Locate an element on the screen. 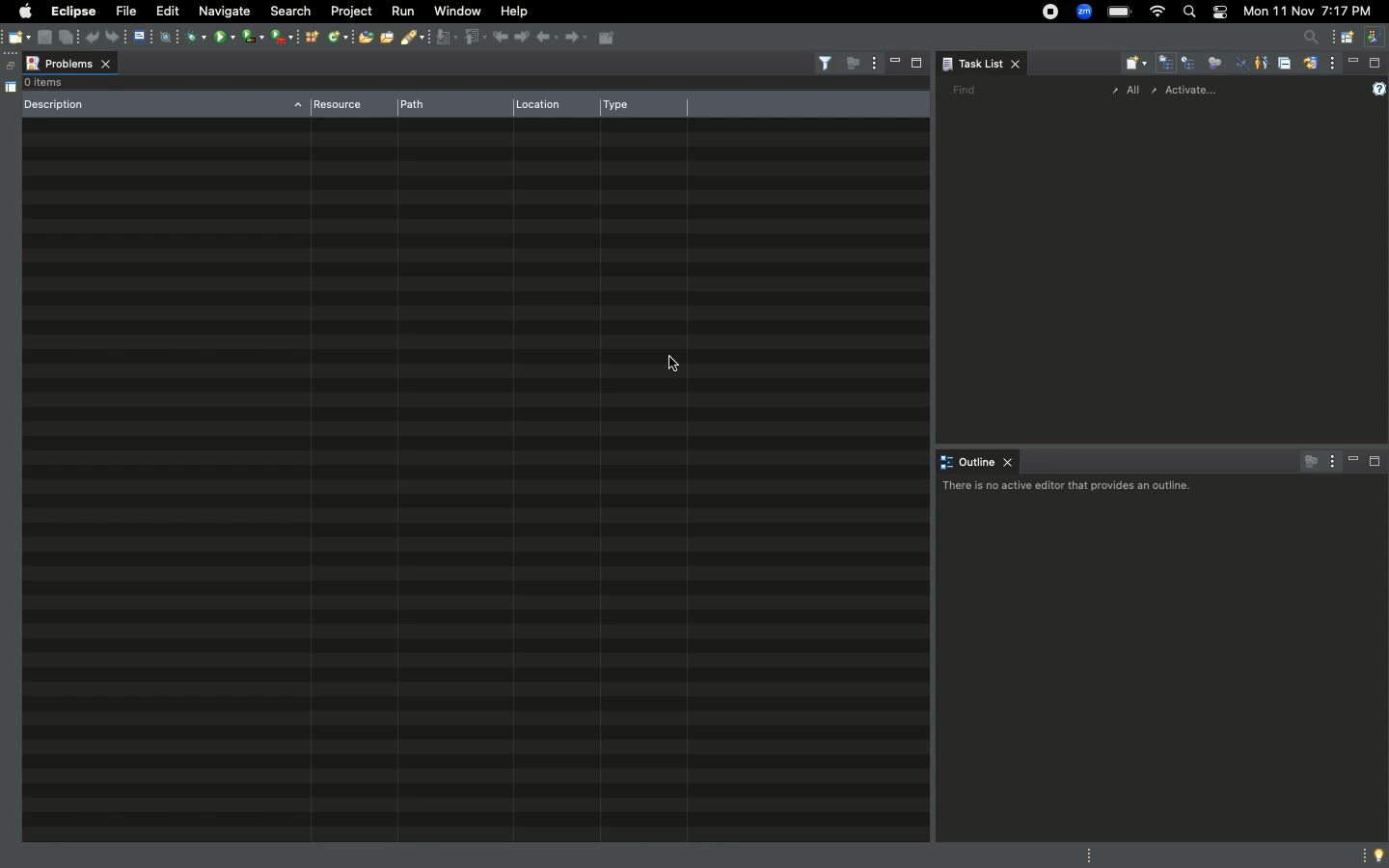  Show tasks UI legend is located at coordinates (1376, 90).